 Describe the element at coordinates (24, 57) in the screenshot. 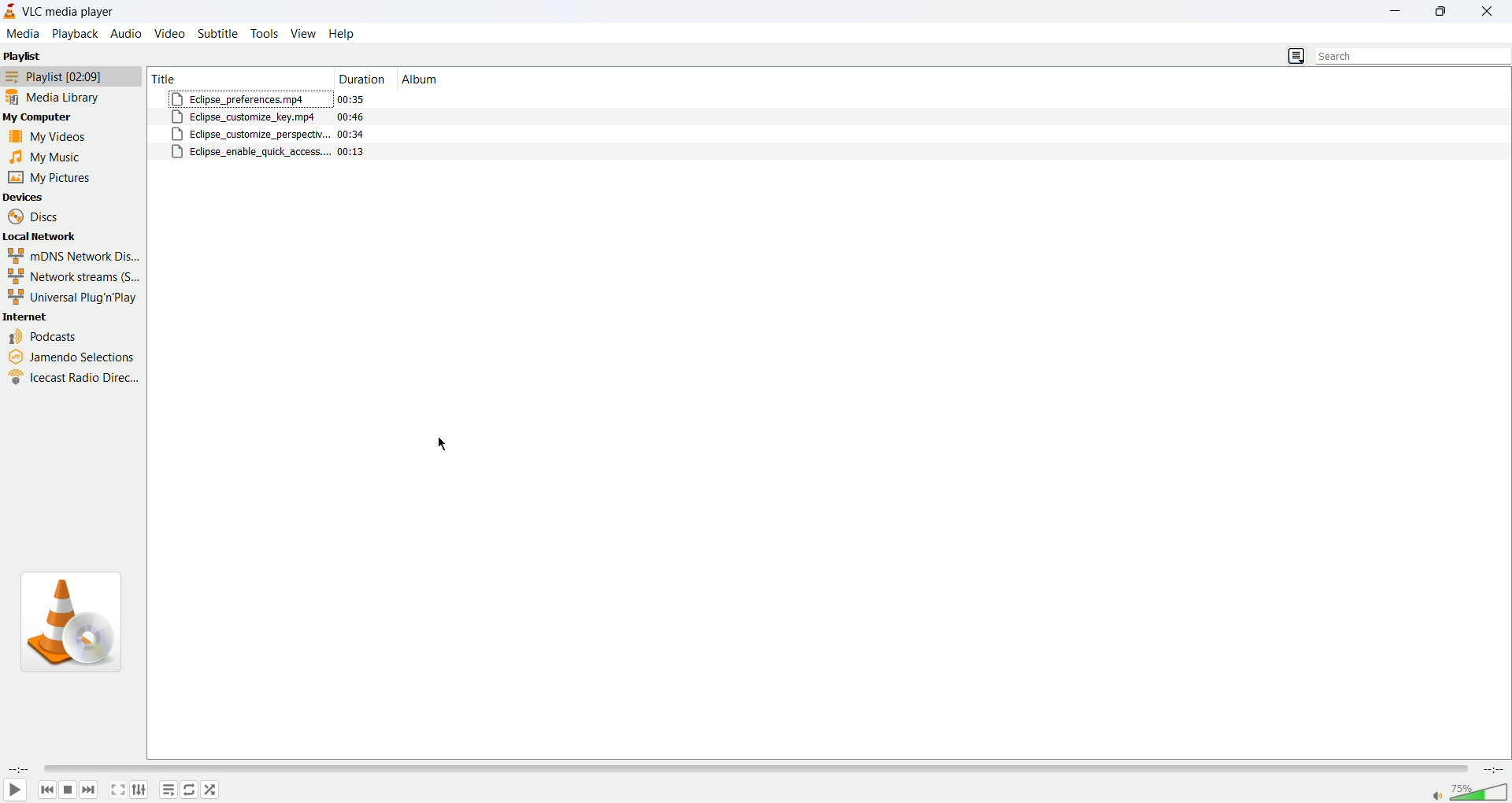

I see `playlist` at that location.